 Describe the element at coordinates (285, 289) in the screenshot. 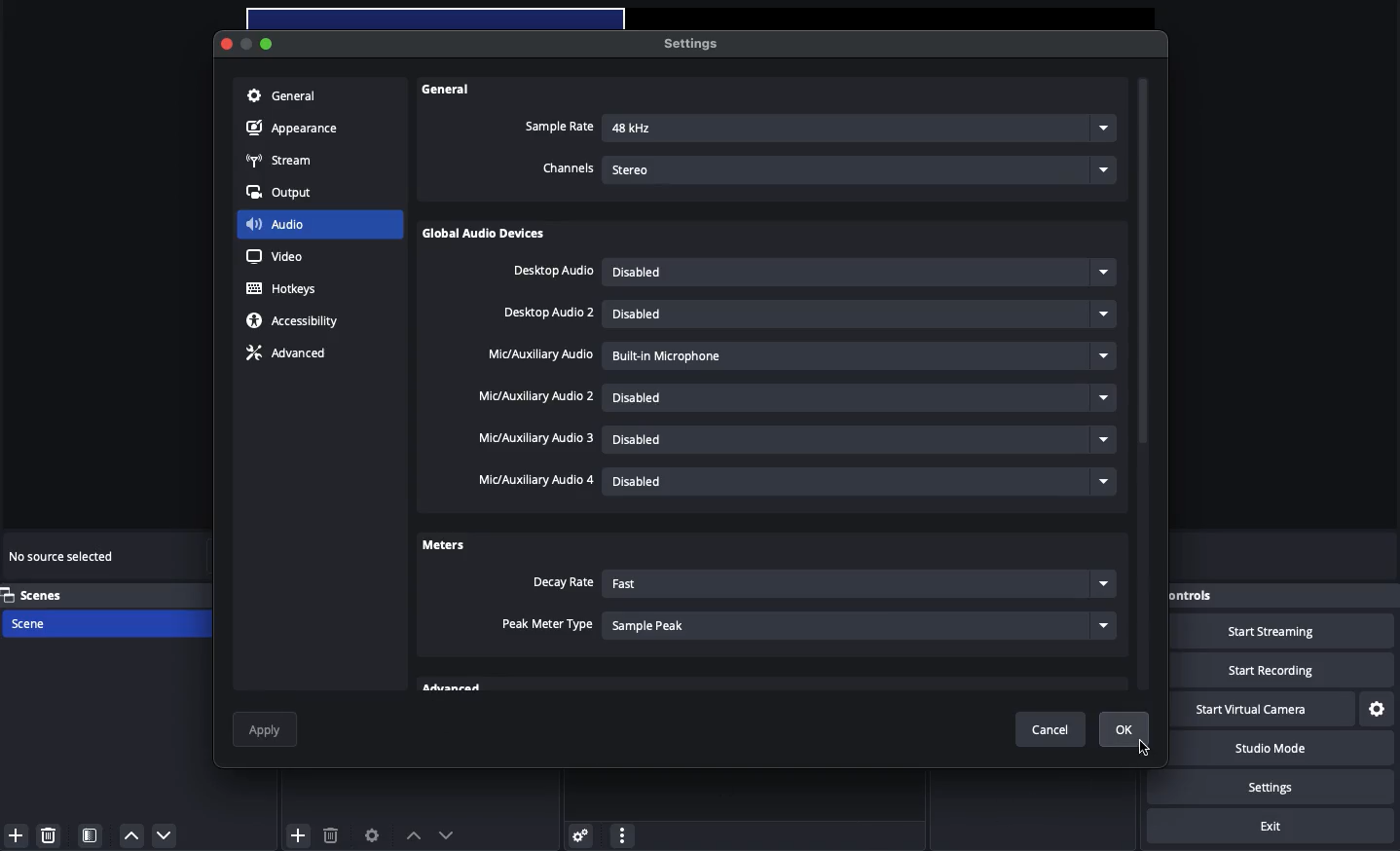

I see `Hotkeys` at that location.